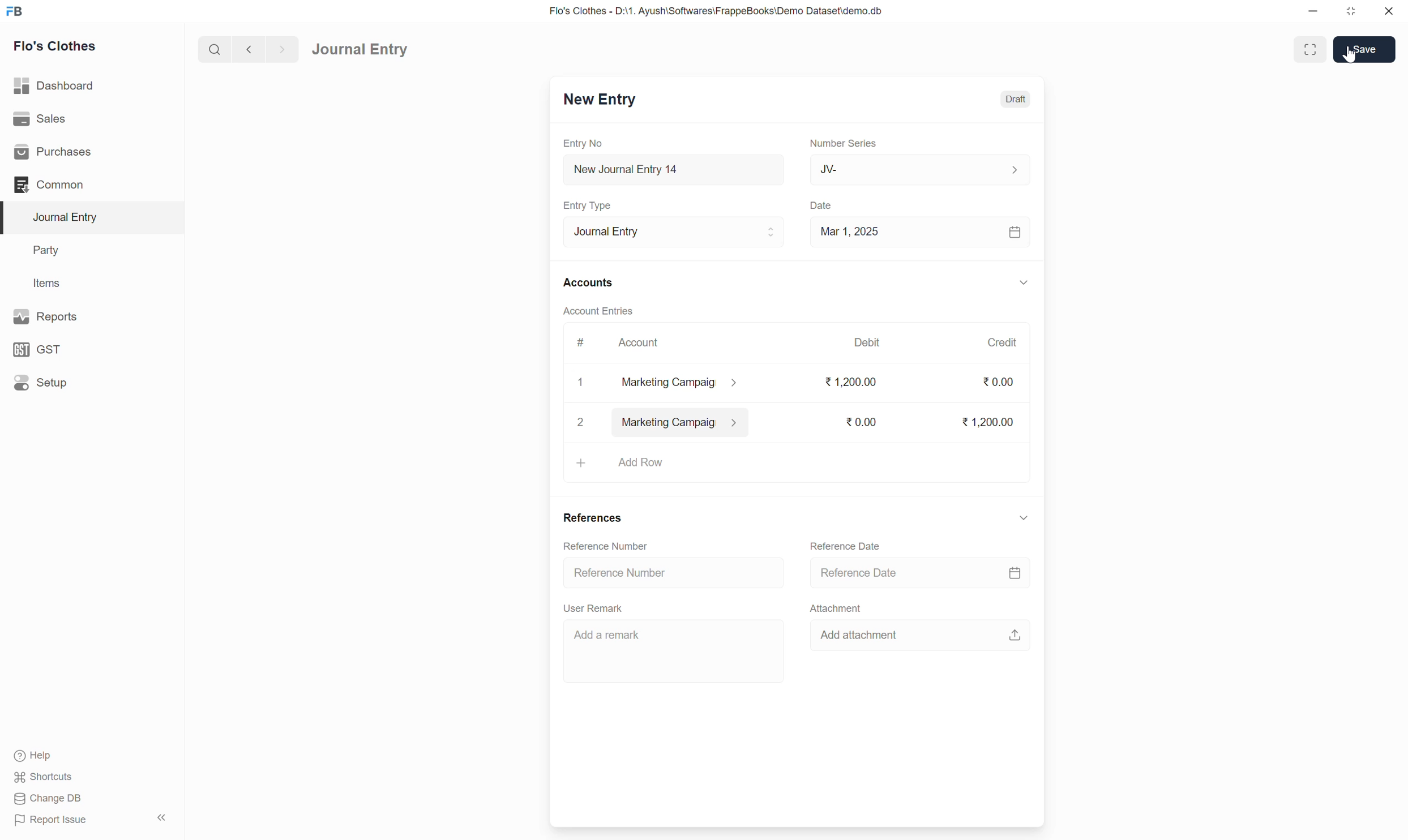  Describe the element at coordinates (1312, 48) in the screenshot. I see `enlarge` at that location.